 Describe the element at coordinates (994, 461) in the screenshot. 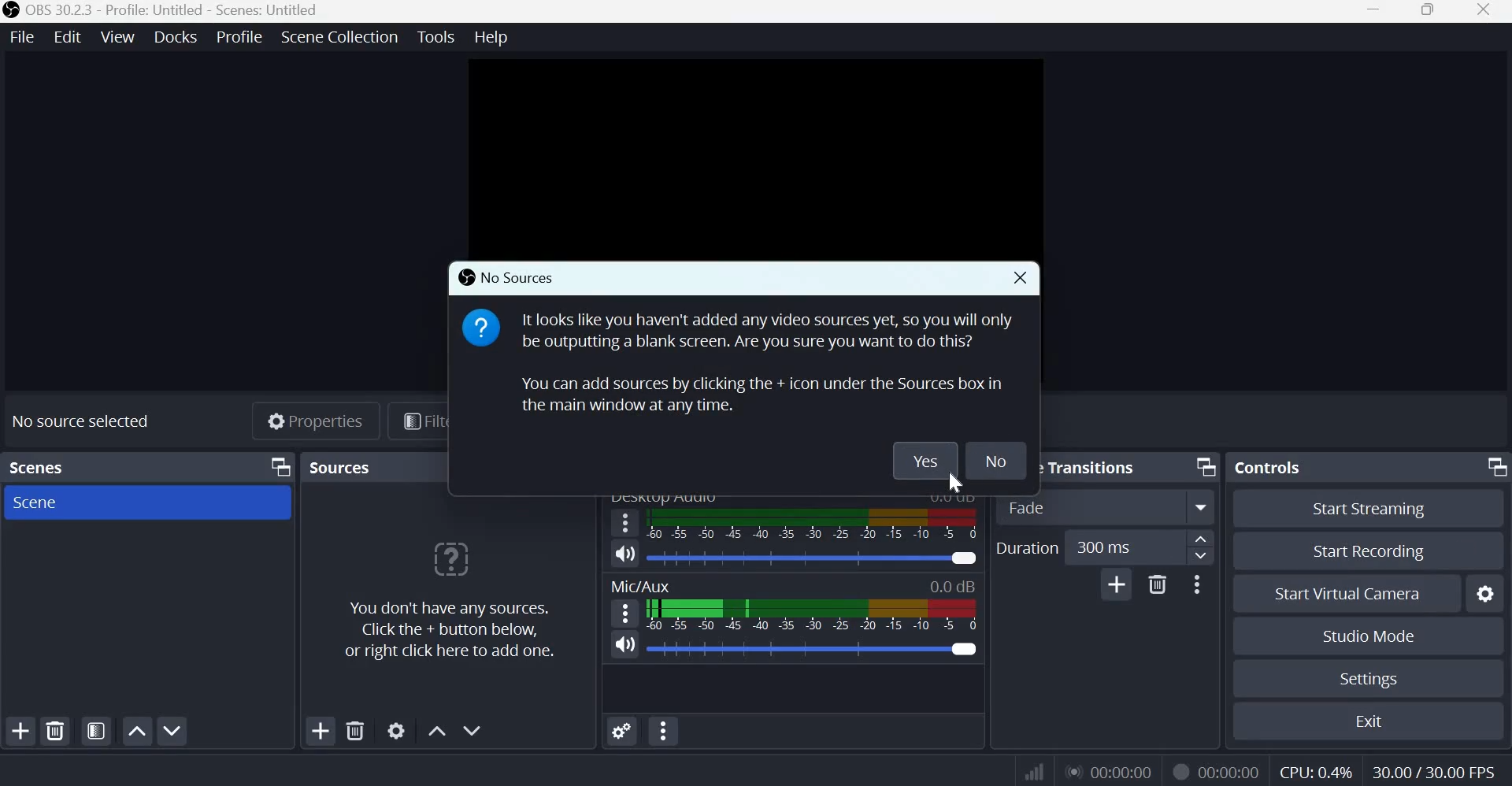

I see `No` at that location.